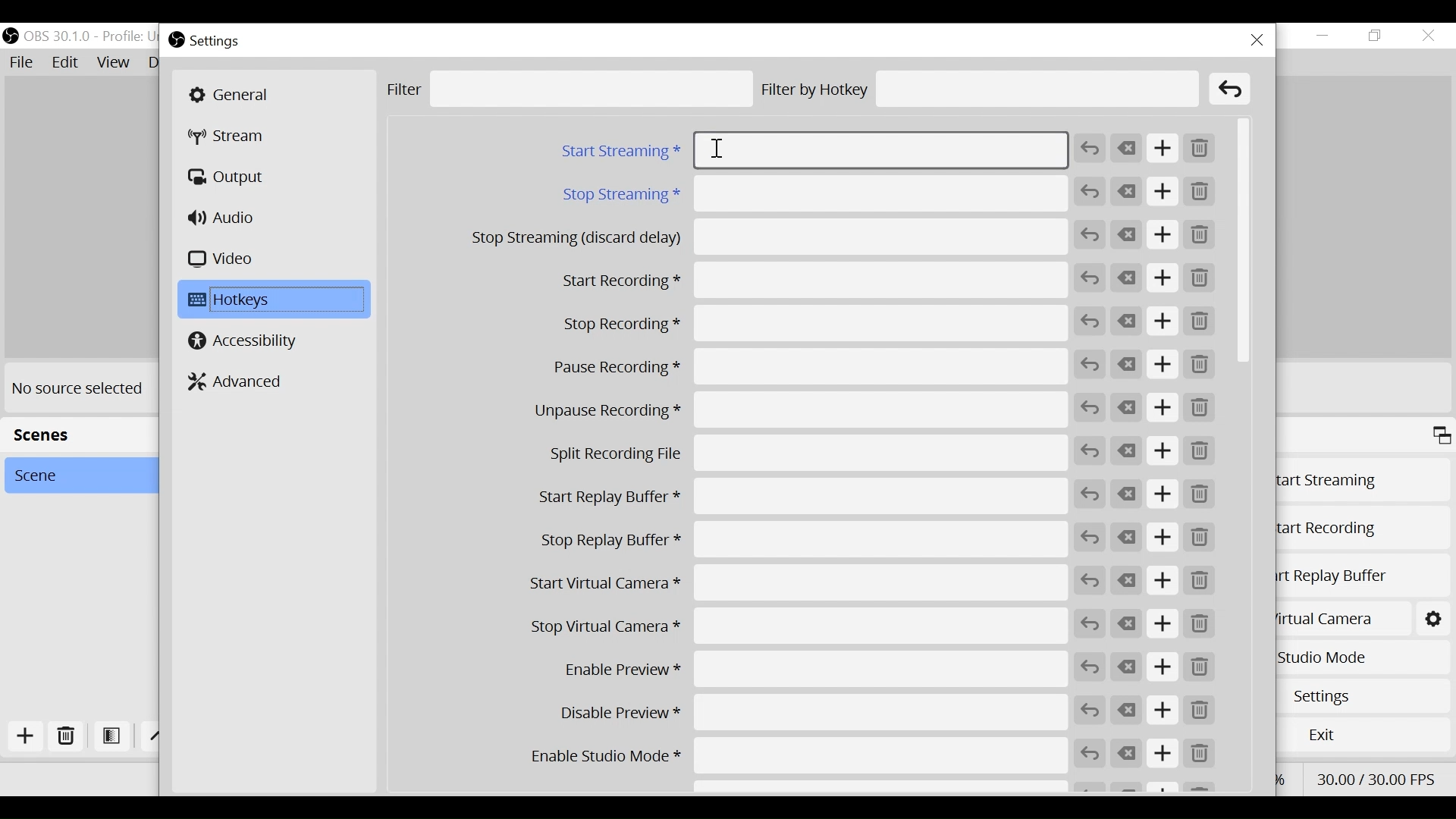  What do you see at coordinates (1163, 453) in the screenshot?
I see `Add` at bounding box center [1163, 453].